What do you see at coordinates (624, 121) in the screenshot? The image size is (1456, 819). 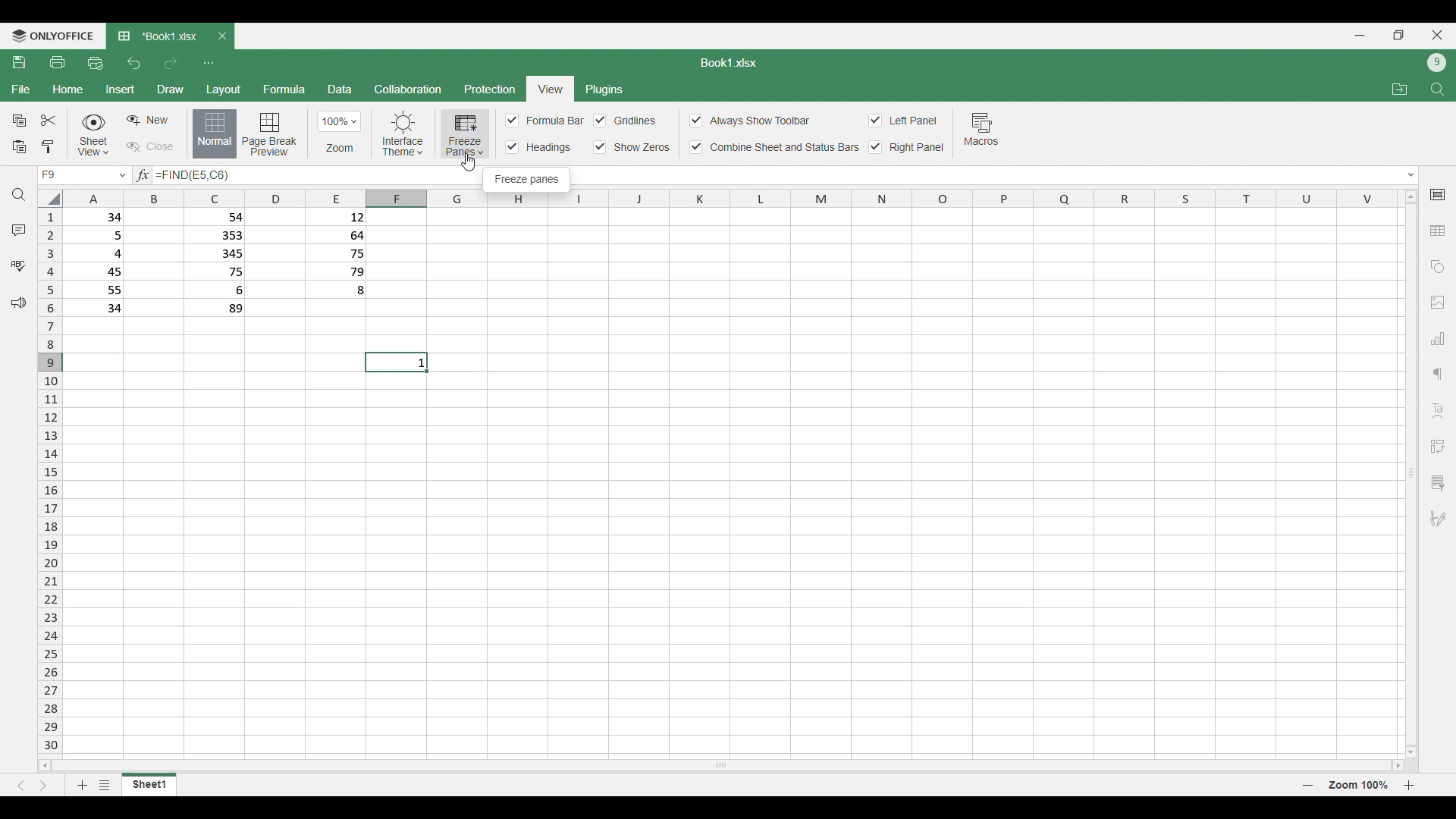 I see `Toggles for each cell` at bounding box center [624, 121].